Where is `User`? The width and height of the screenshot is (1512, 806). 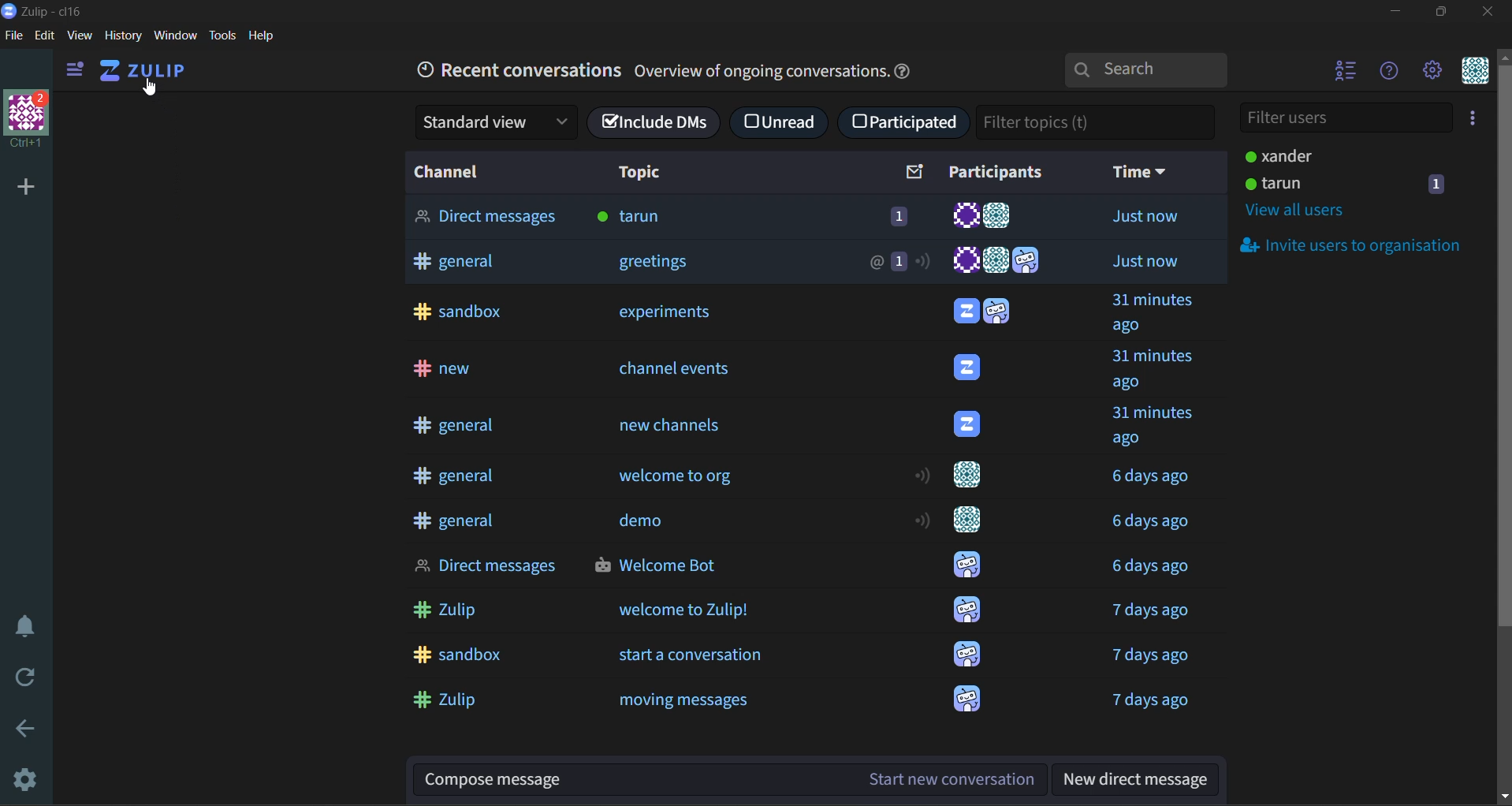
User is located at coordinates (969, 421).